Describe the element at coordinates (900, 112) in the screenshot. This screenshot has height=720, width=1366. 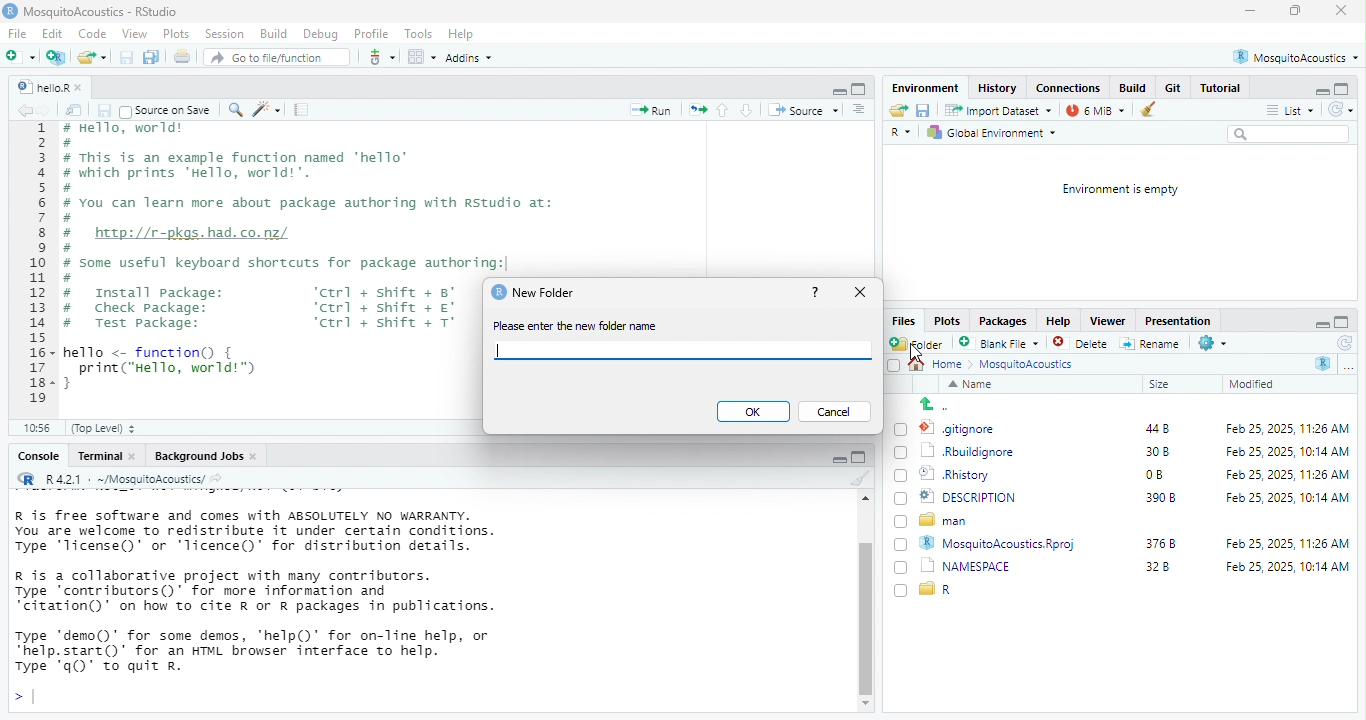
I see `open an existing file` at that location.